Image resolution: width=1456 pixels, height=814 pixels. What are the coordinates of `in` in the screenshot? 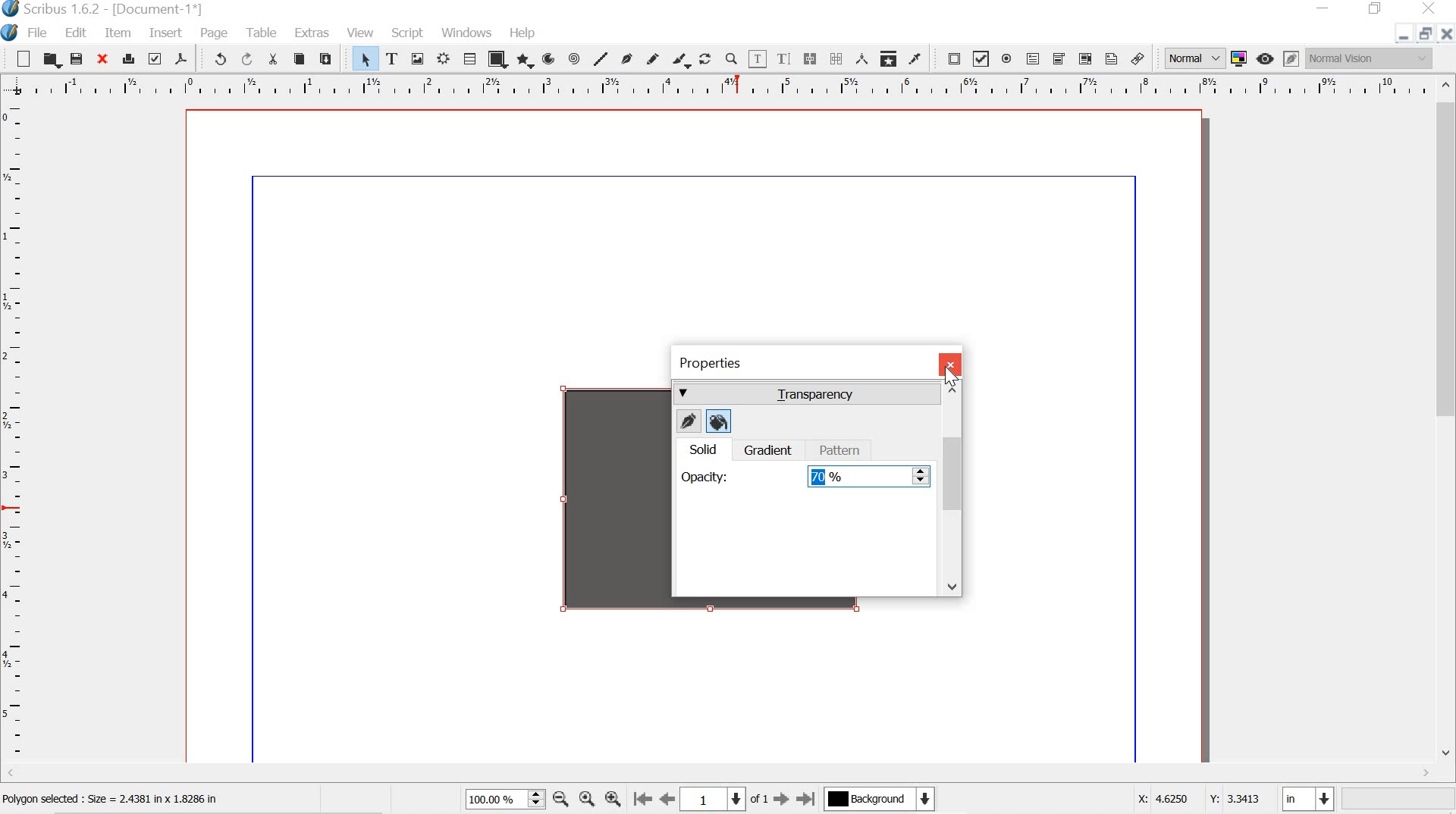 It's located at (1307, 800).